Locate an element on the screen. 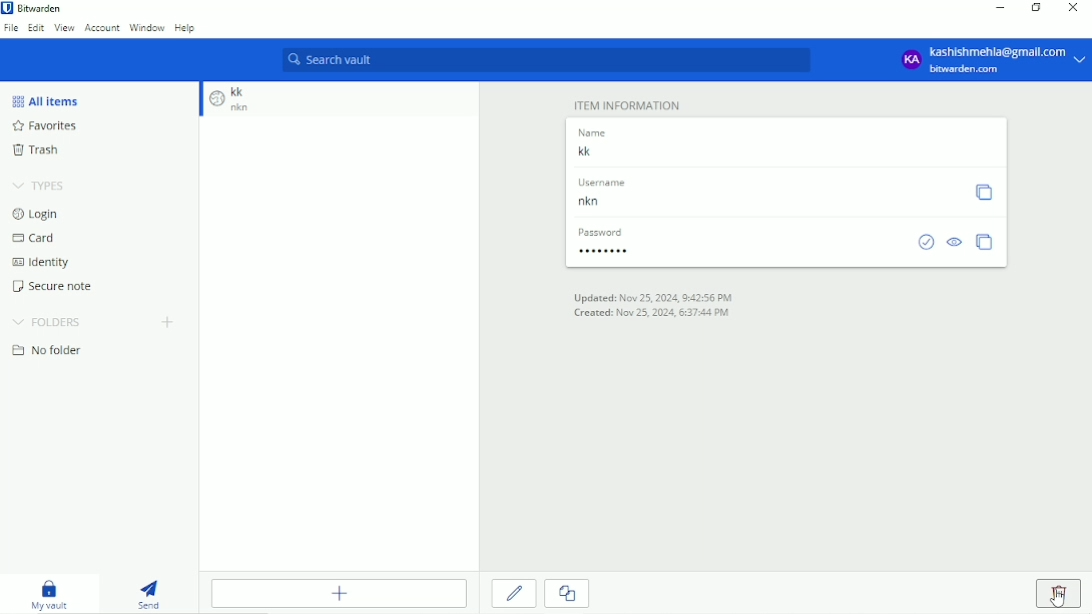 This screenshot has height=614, width=1092. Password is located at coordinates (736, 250).